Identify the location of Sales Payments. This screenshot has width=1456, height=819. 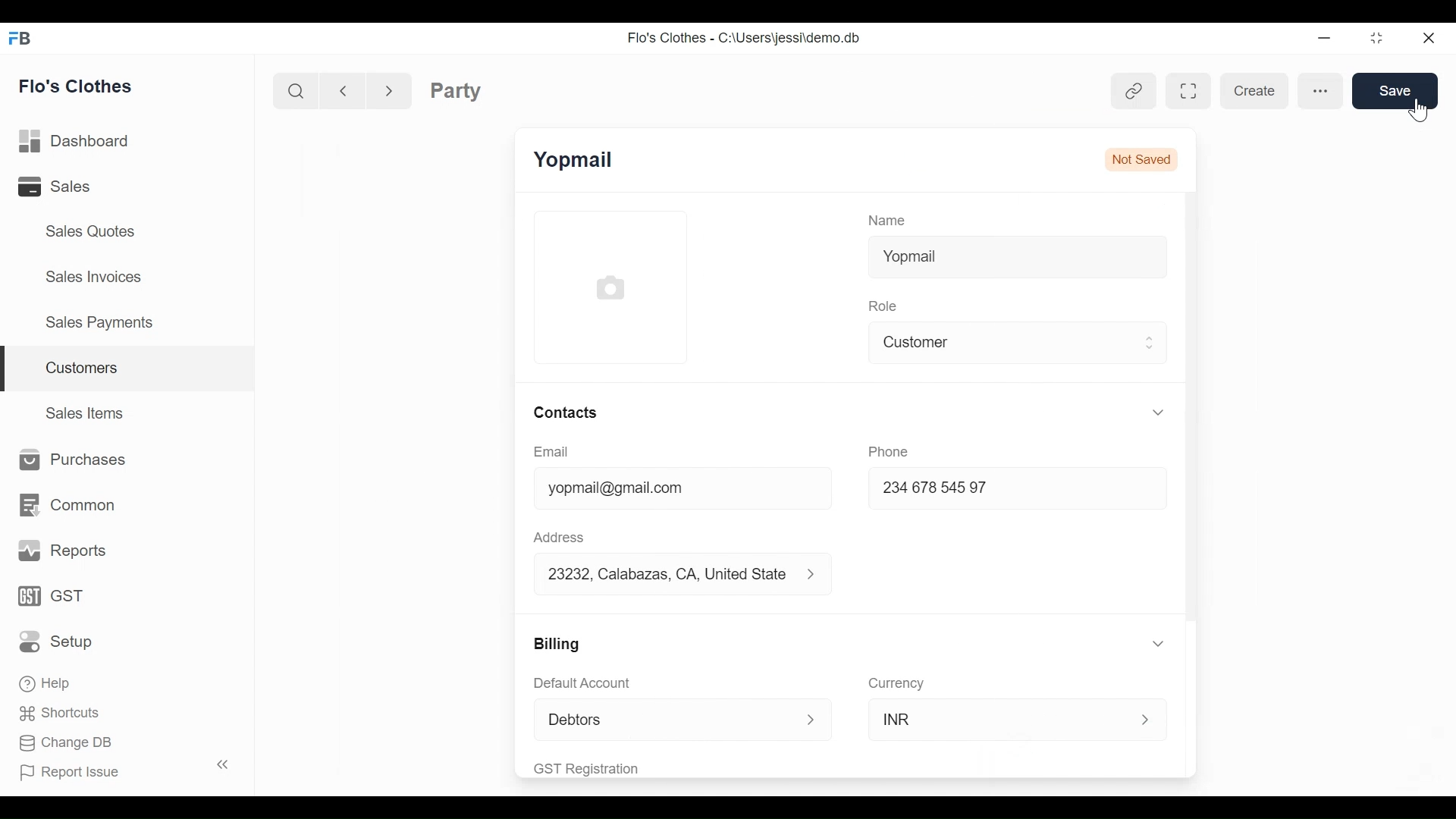
(98, 322).